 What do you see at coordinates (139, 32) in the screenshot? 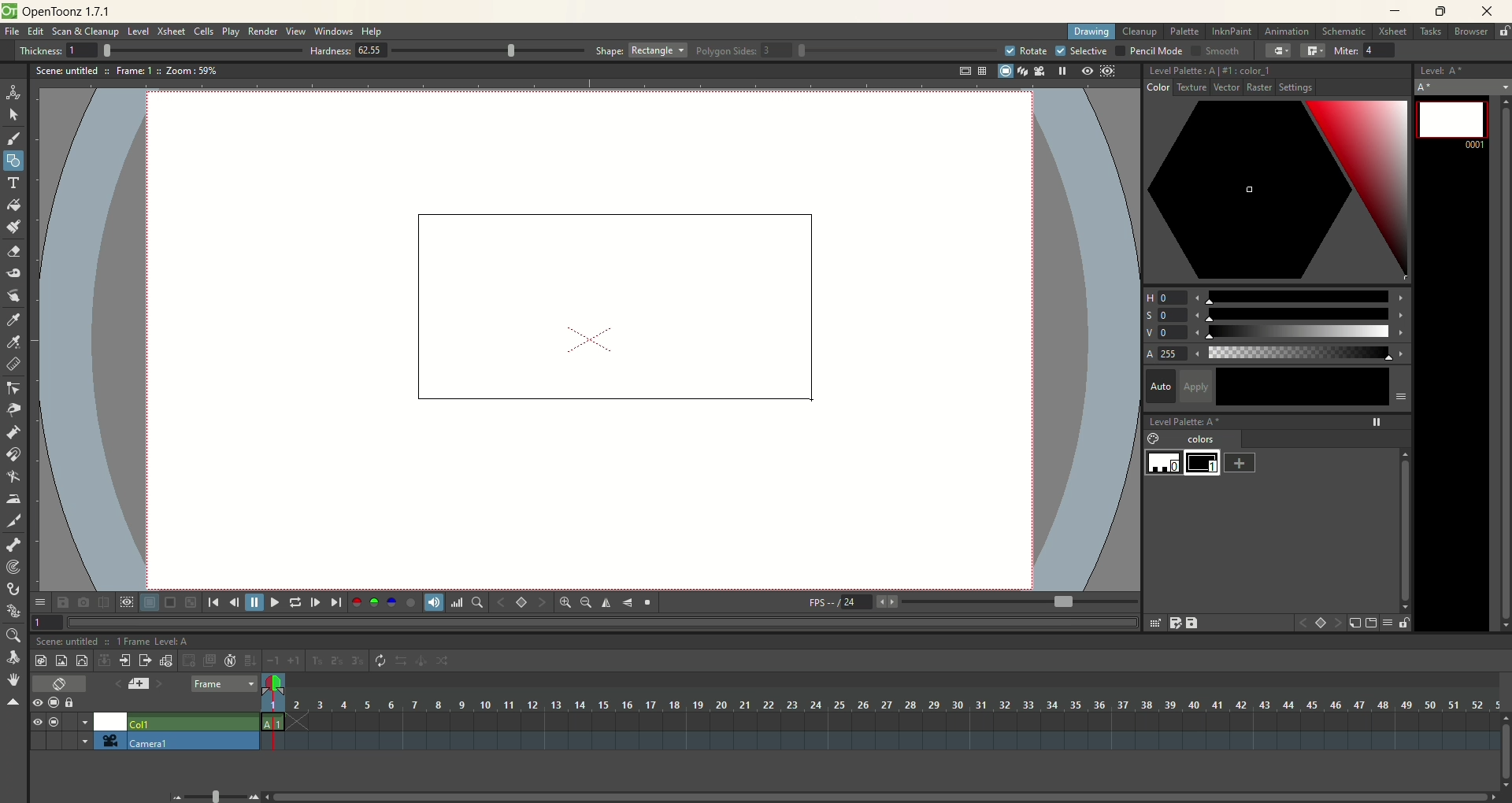
I see `level` at bounding box center [139, 32].